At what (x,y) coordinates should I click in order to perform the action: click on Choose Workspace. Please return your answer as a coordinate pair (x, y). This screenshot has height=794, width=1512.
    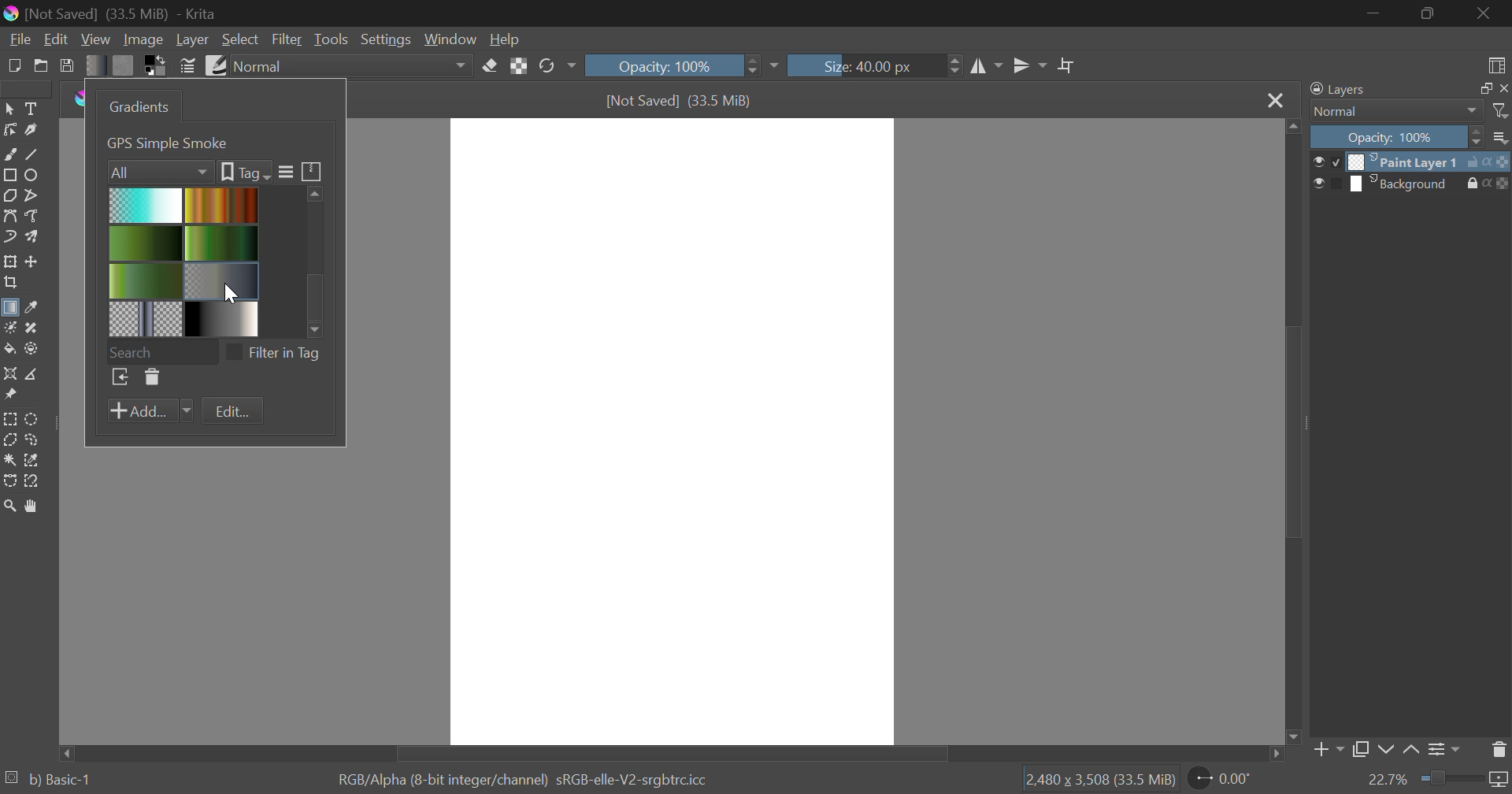
    Looking at the image, I should click on (1494, 62).